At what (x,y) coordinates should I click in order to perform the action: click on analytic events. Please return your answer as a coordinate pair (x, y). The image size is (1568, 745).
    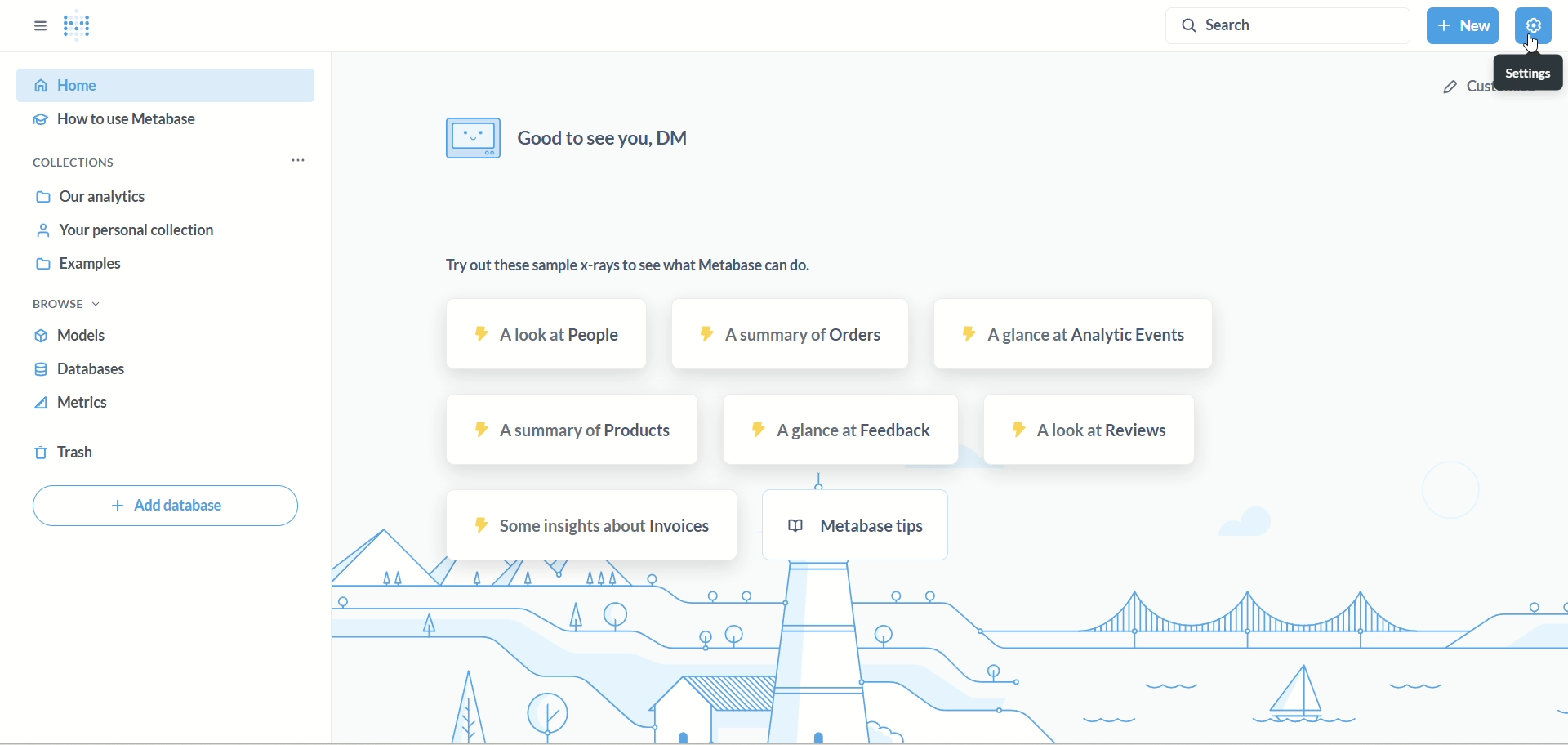
    Looking at the image, I should click on (1071, 335).